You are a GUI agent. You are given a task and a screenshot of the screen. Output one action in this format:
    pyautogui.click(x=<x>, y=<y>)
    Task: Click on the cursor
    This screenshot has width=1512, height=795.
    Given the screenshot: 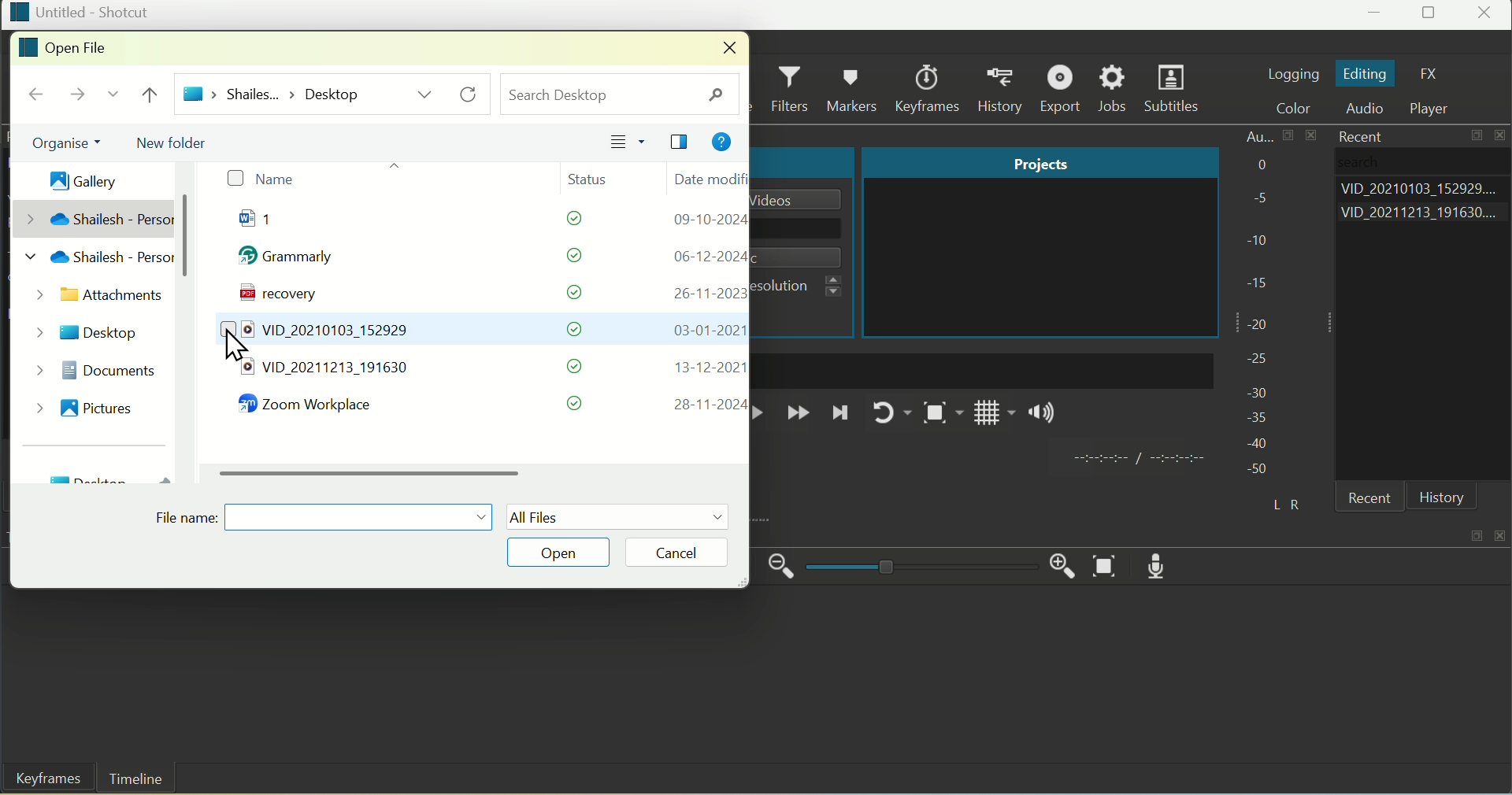 What is the action you would take?
    pyautogui.click(x=238, y=346)
    